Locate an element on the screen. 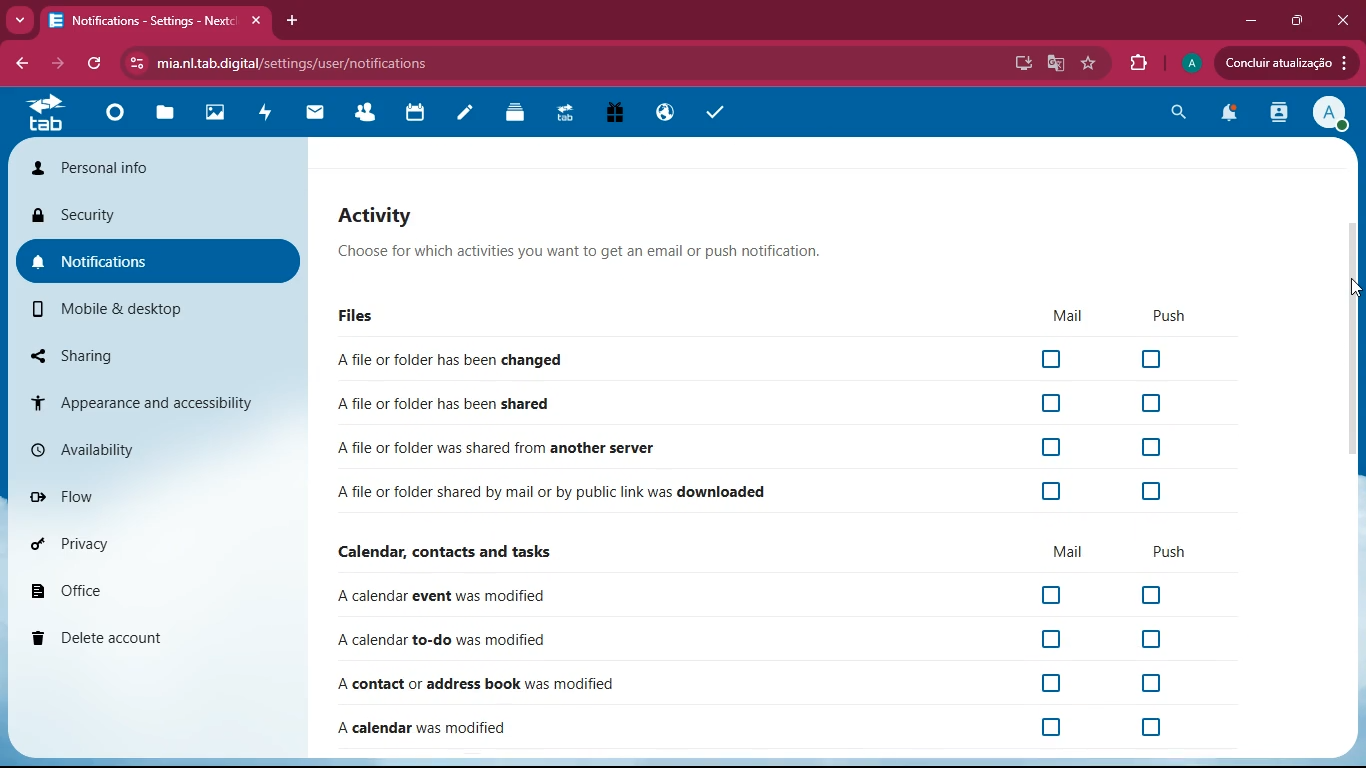 The width and height of the screenshot is (1366, 768). Calendar, contacts and tasks is located at coordinates (443, 554).